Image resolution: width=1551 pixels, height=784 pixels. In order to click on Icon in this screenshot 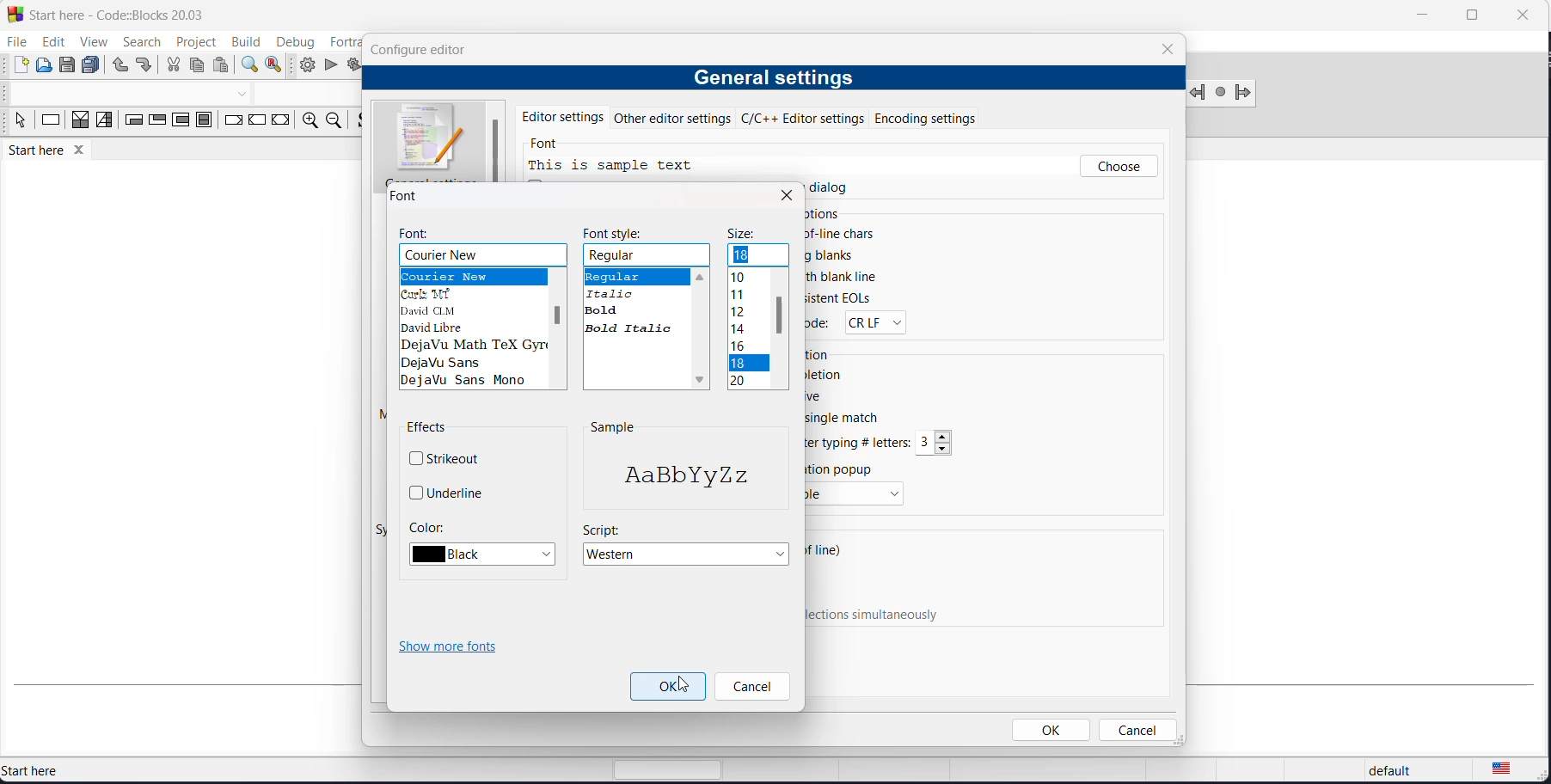, I will do `click(432, 139)`.